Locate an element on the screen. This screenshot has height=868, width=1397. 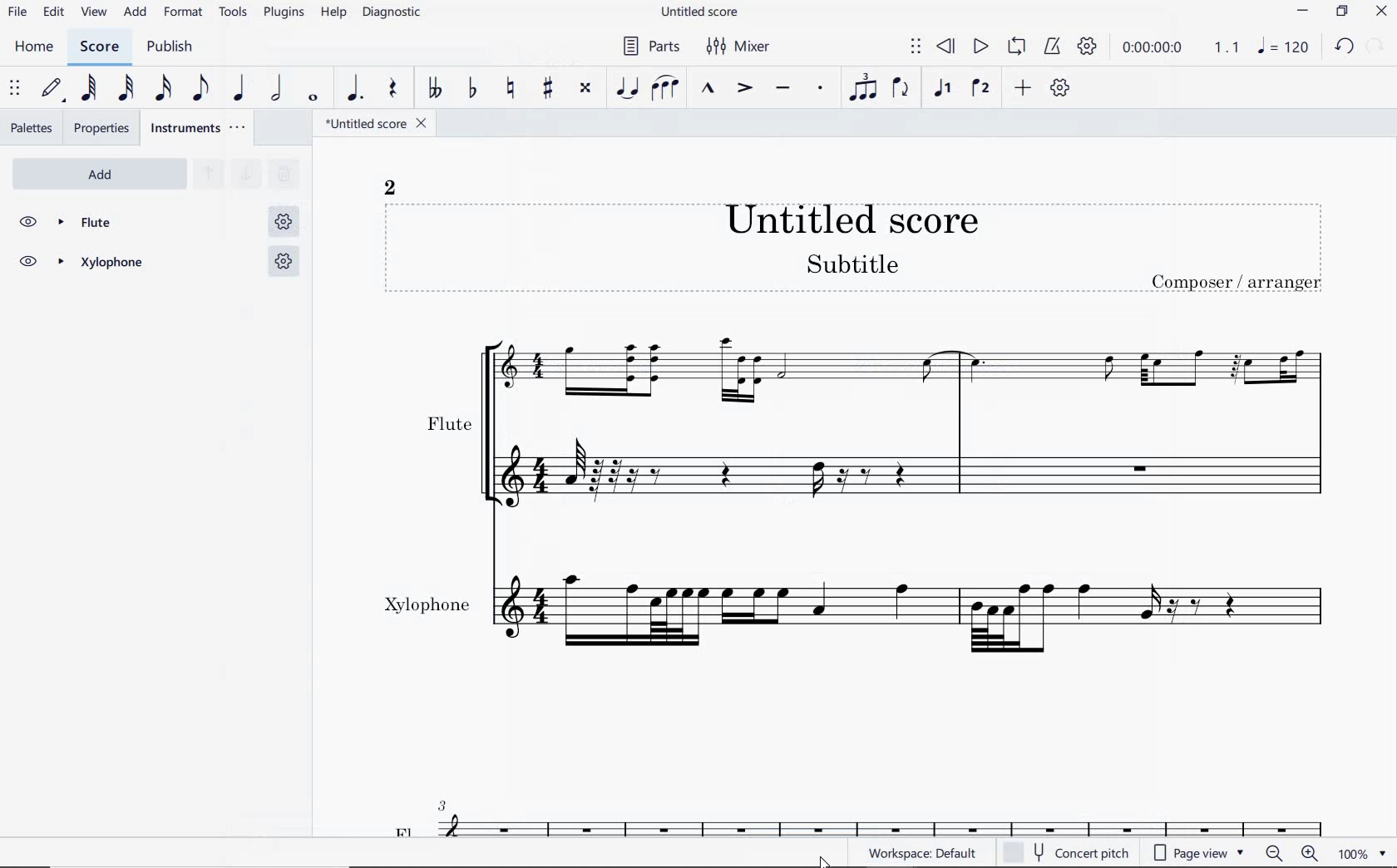
PAGE VIEW is located at coordinates (1202, 852).